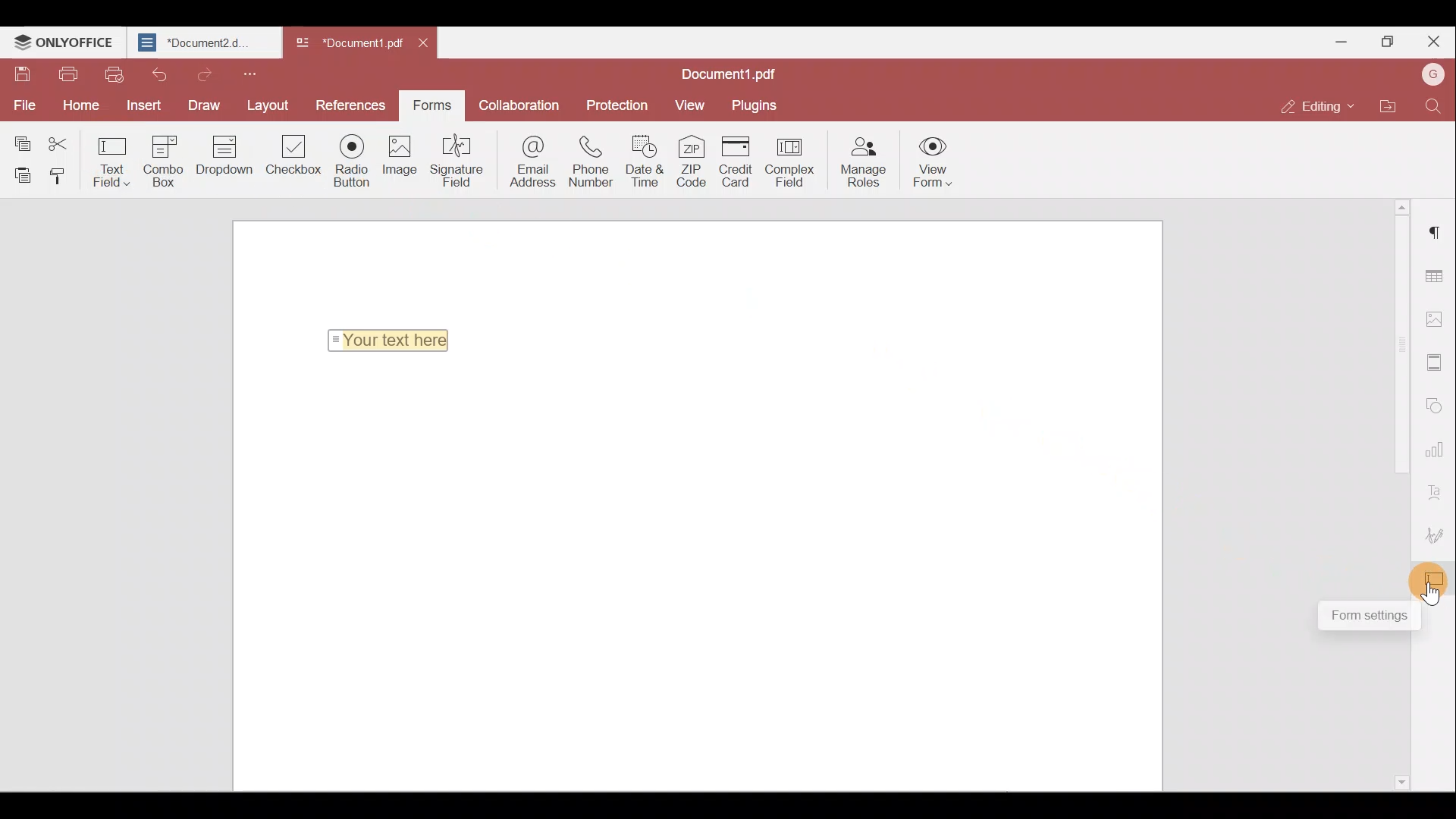 Image resolution: width=1456 pixels, height=819 pixels. What do you see at coordinates (622, 104) in the screenshot?
I see `Protection` at bounding box center [622, 104].